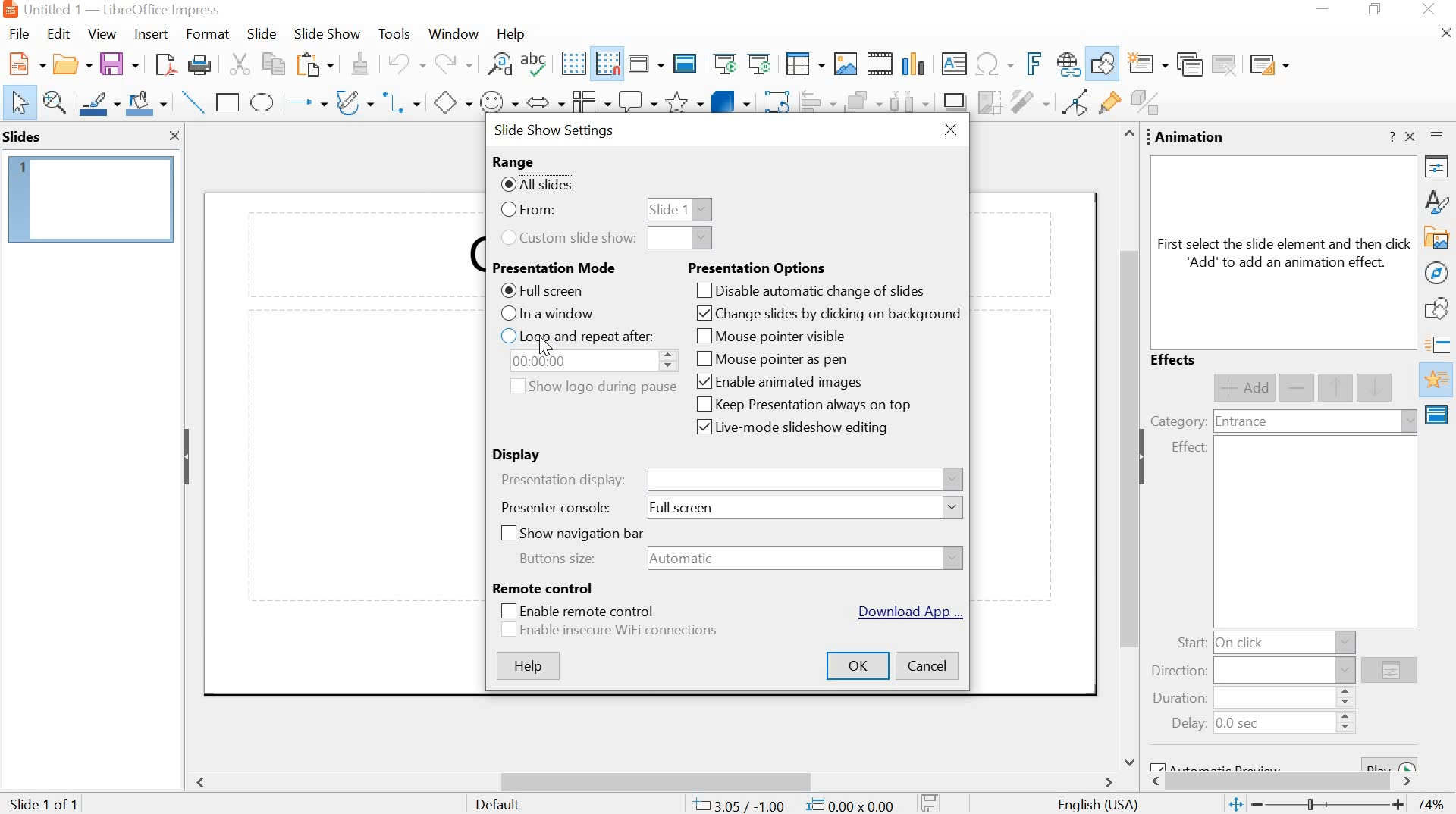  Describe the element at coordinates (92, 199) in the screenshot. I see `slide 1` at that location.